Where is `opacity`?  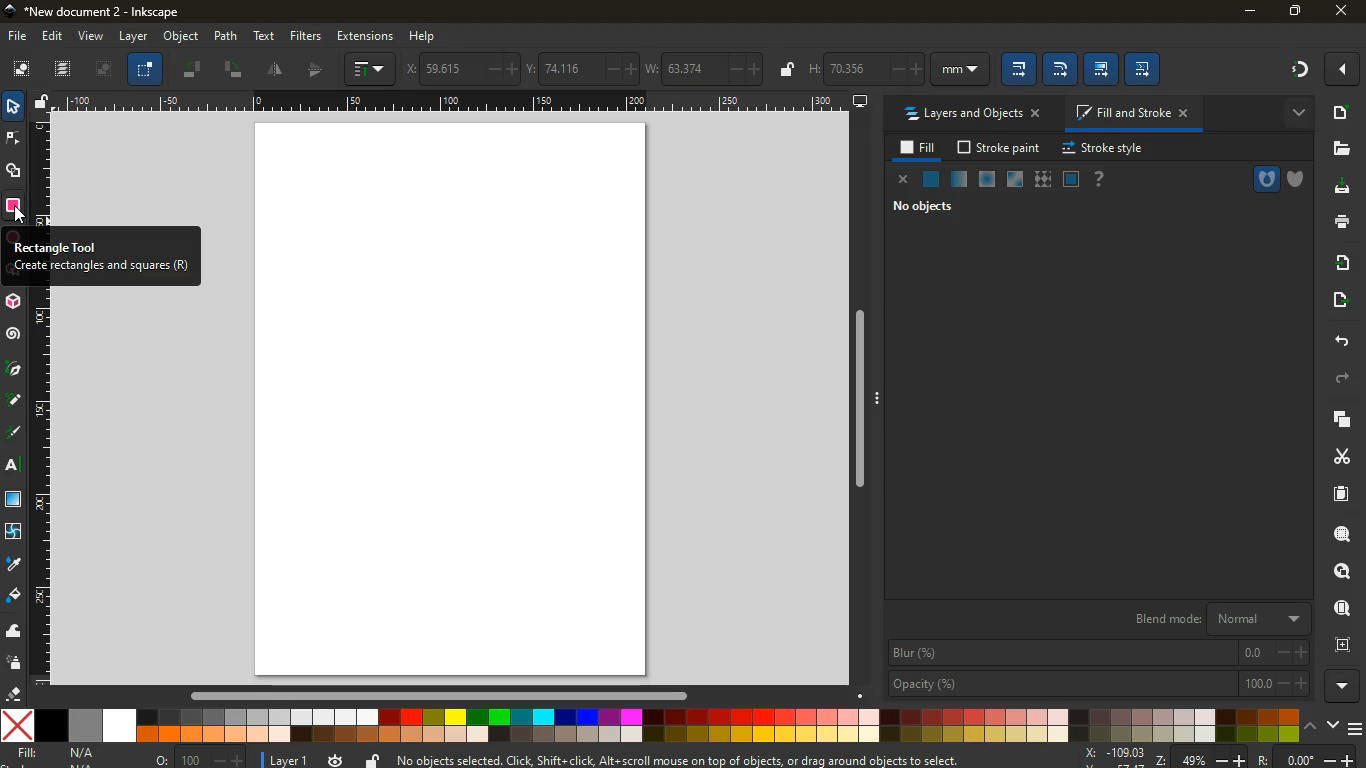 opacity is located at coordinates (1098, 684).